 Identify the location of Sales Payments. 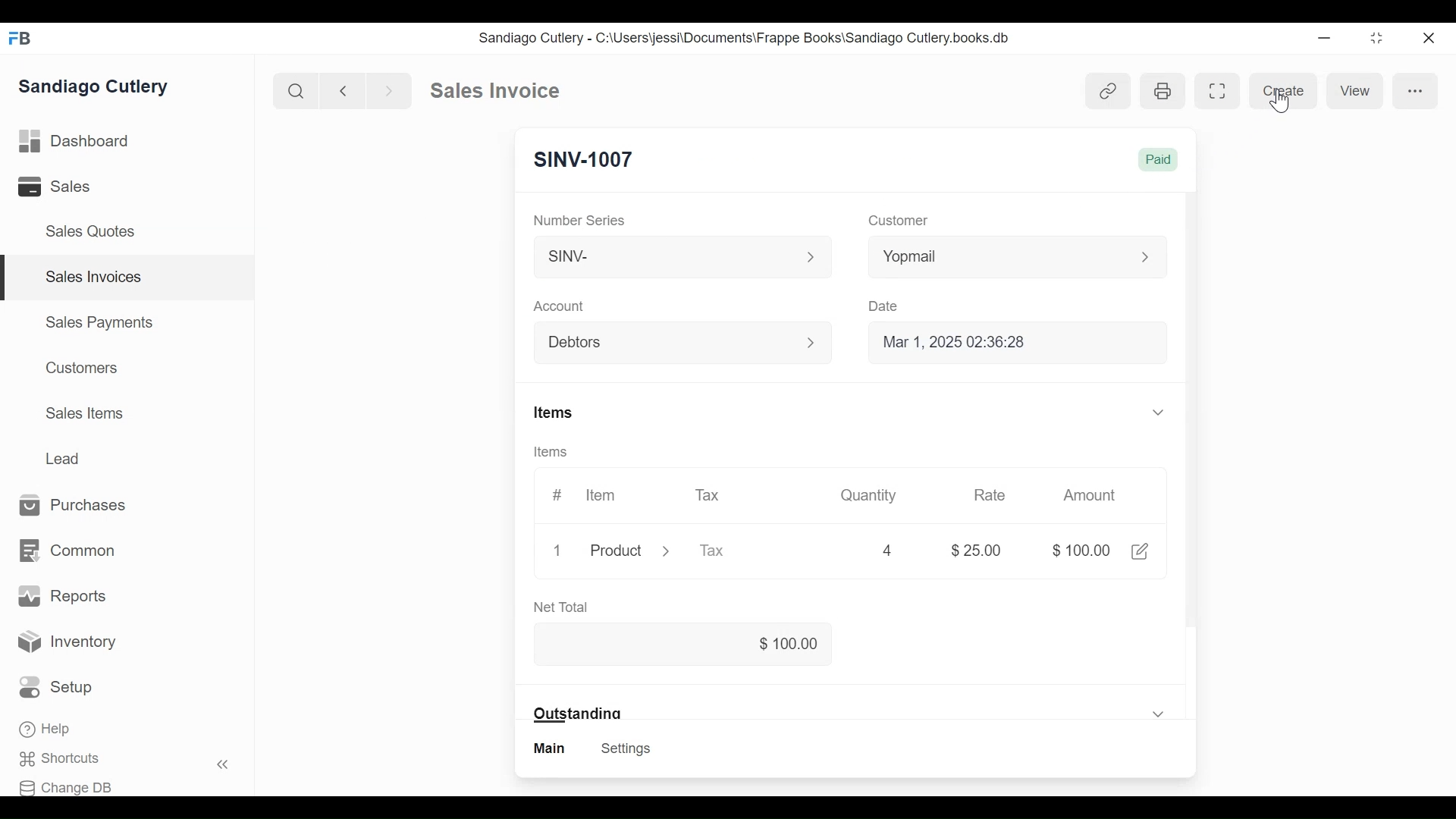
(99, 322).